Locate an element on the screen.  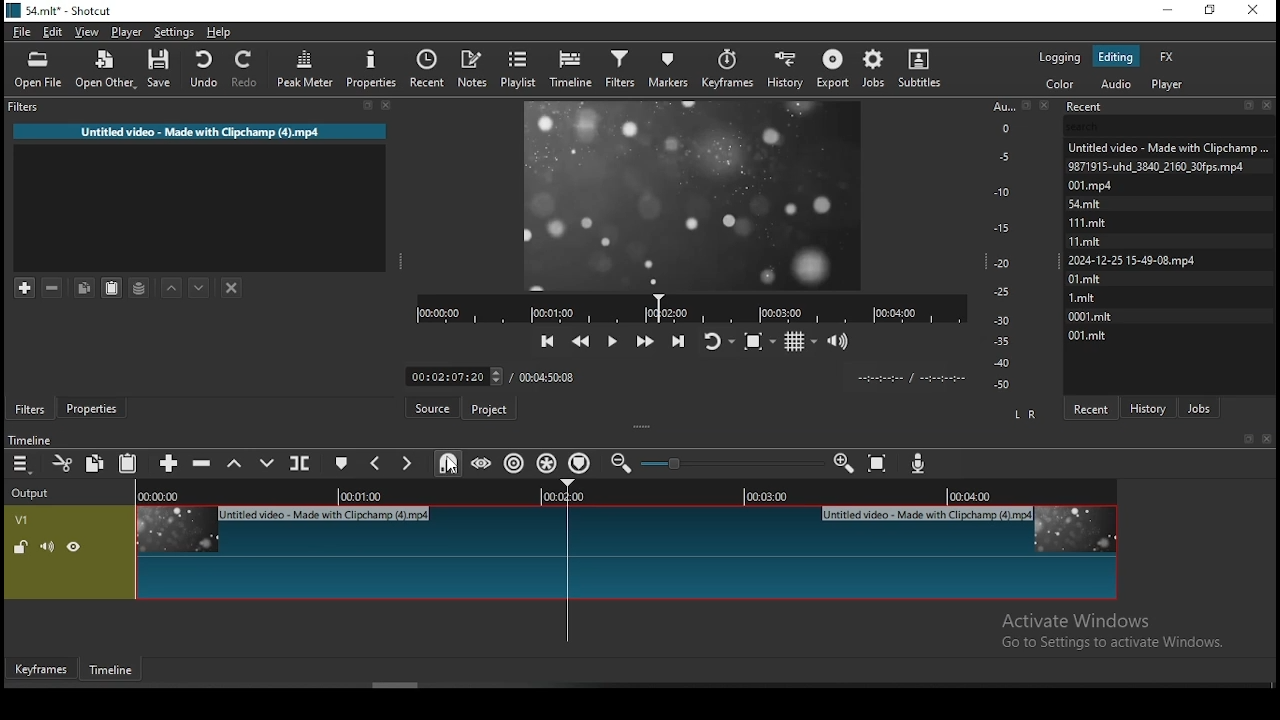
properties is located at coordinates (93, 409).